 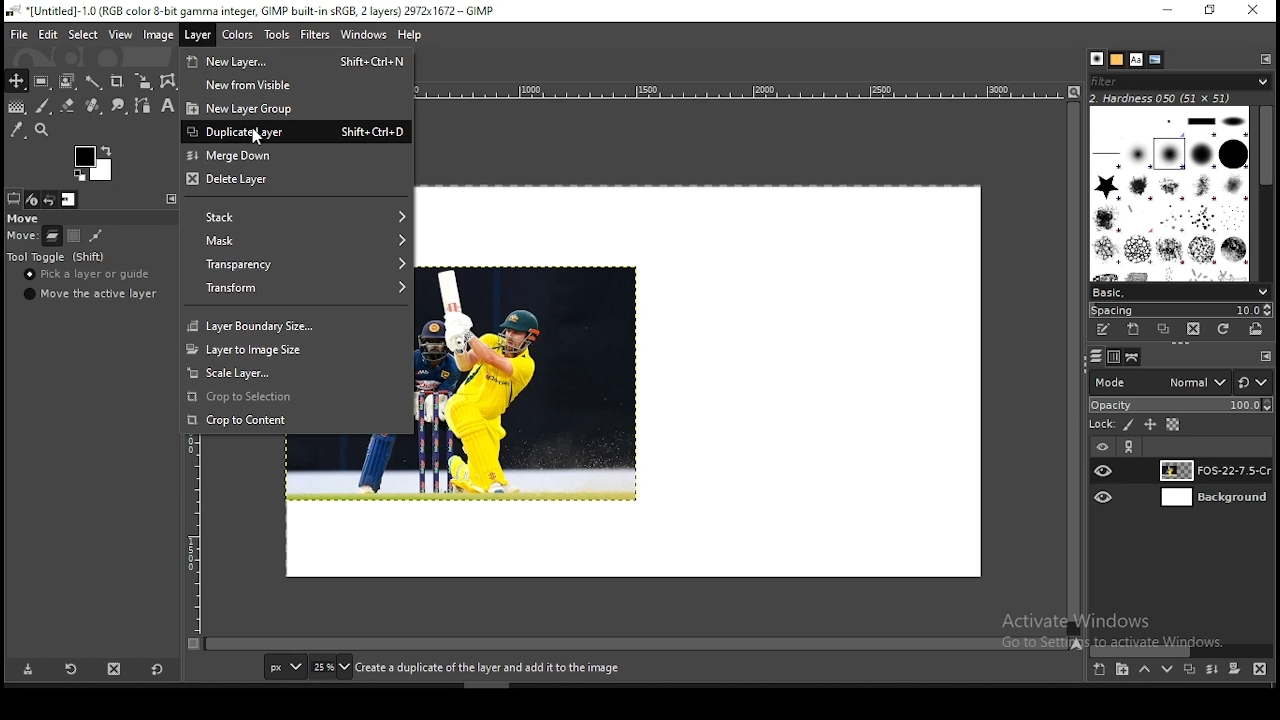 I want to click on colors, so click(x=240, y=36).